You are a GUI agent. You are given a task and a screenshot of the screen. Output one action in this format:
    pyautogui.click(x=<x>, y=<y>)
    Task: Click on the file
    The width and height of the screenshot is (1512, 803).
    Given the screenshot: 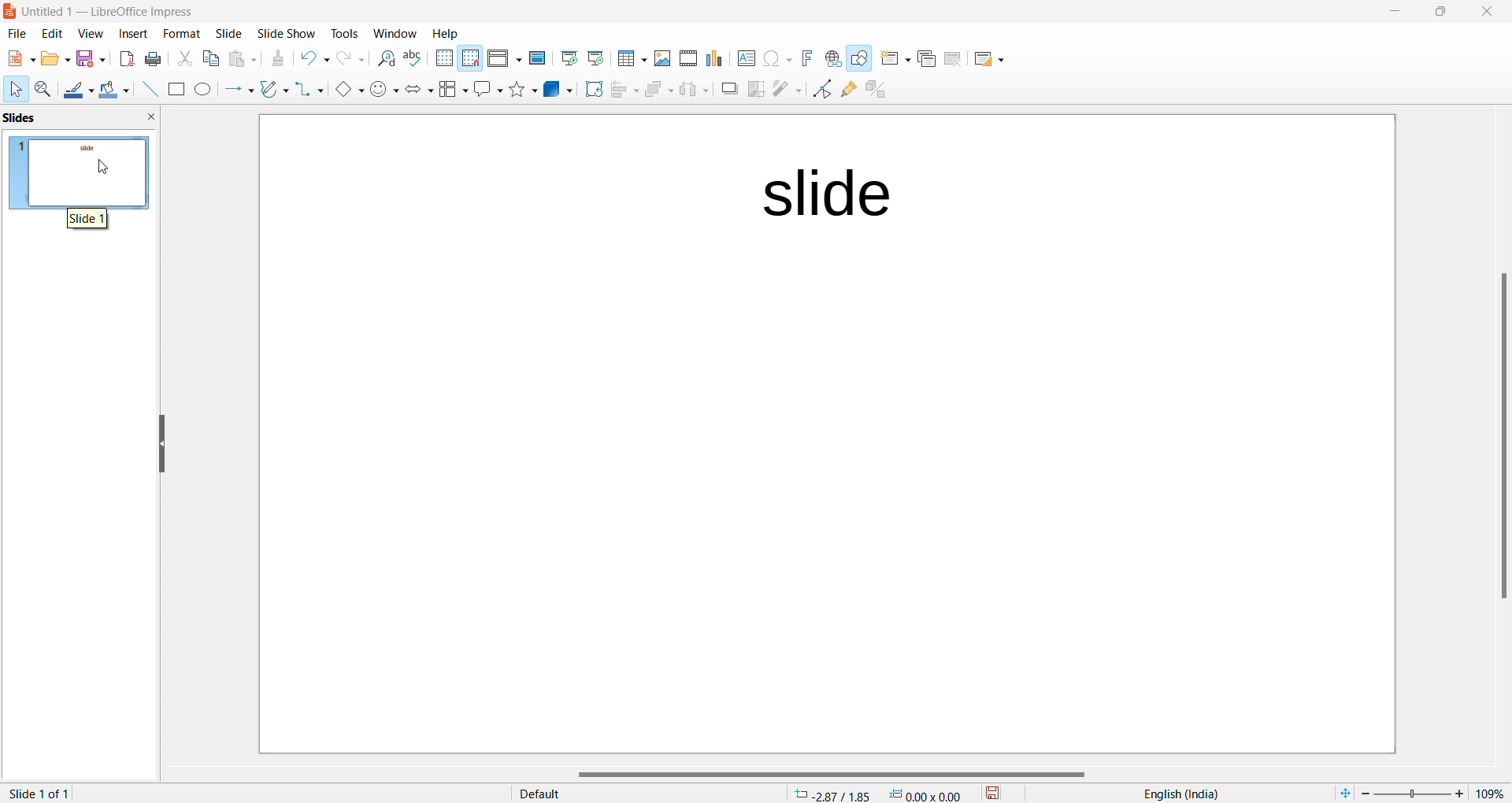 What is the action you would take?
    pyautogui.click(x=15, y=35)
    